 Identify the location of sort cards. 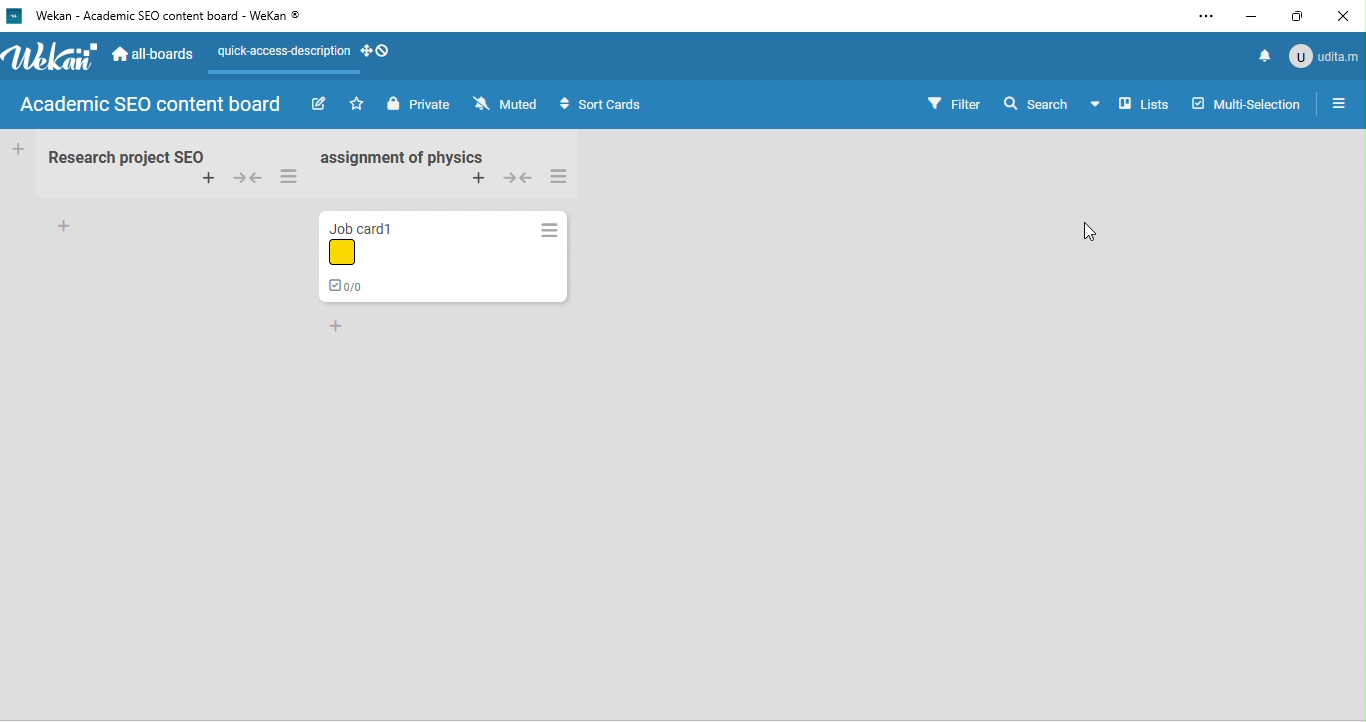
(605, 104).